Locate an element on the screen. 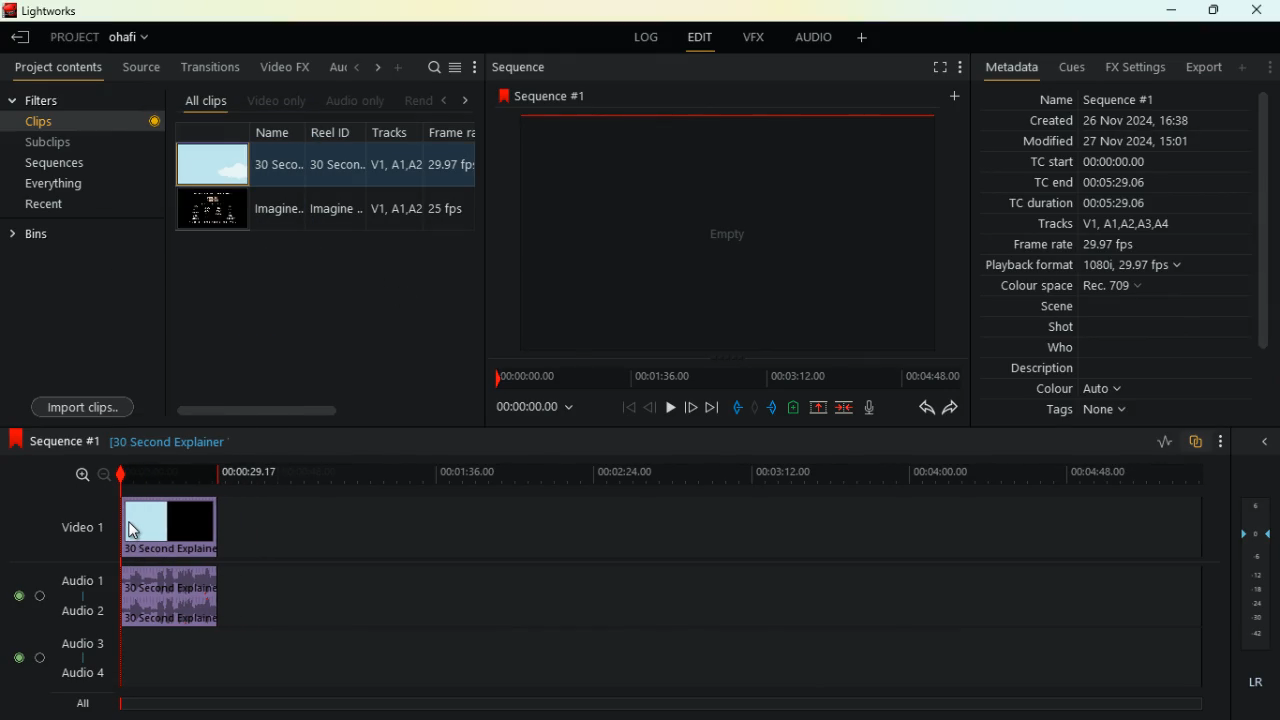 The height and width of the screenshot is (720, 1280). modified is located at coordinates (1112, 141).